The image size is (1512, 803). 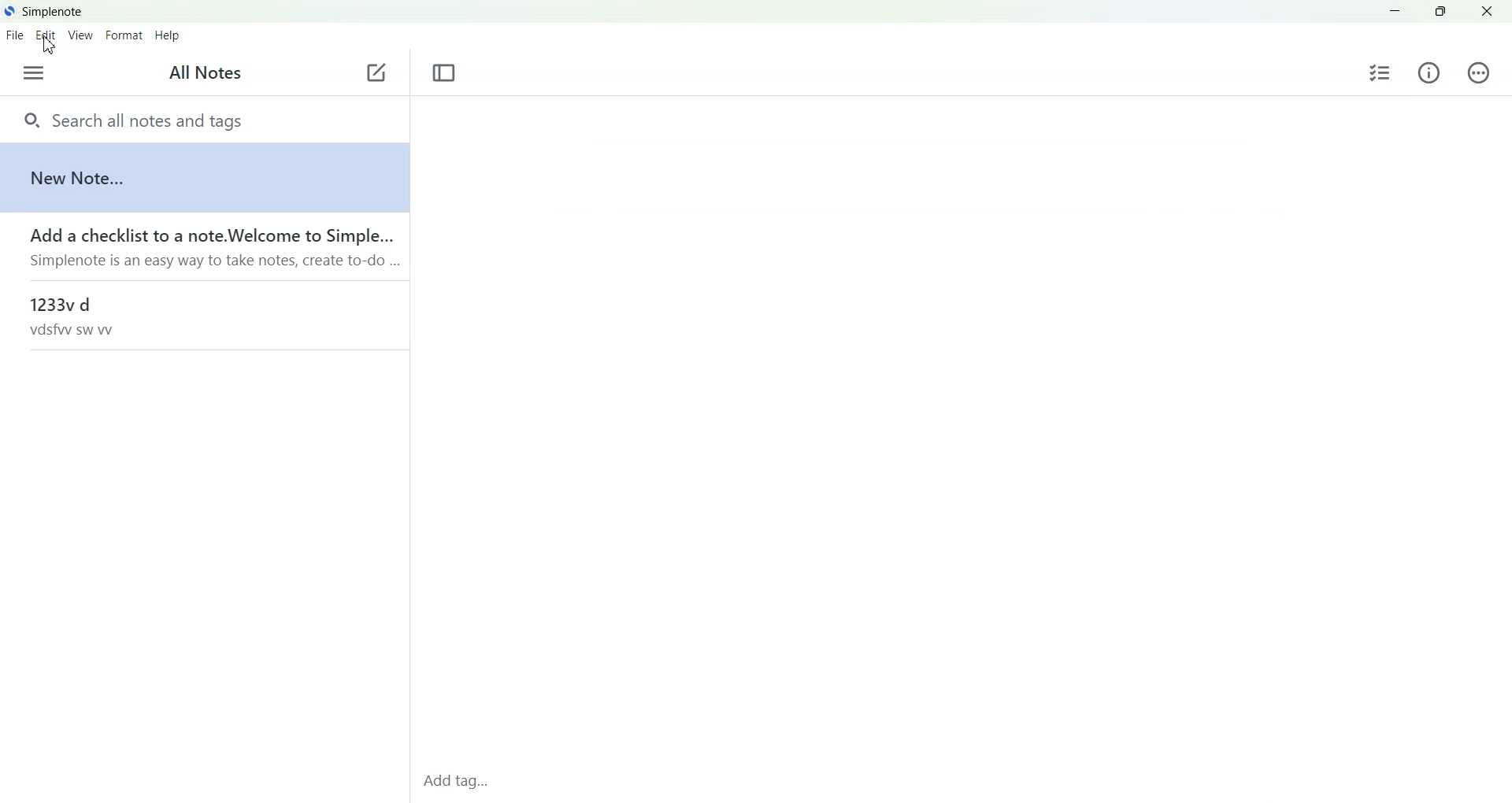 What do you see at coordinates (50, 47) in the screenshot?
I see `Cursor` at bounding box center [50, 47].